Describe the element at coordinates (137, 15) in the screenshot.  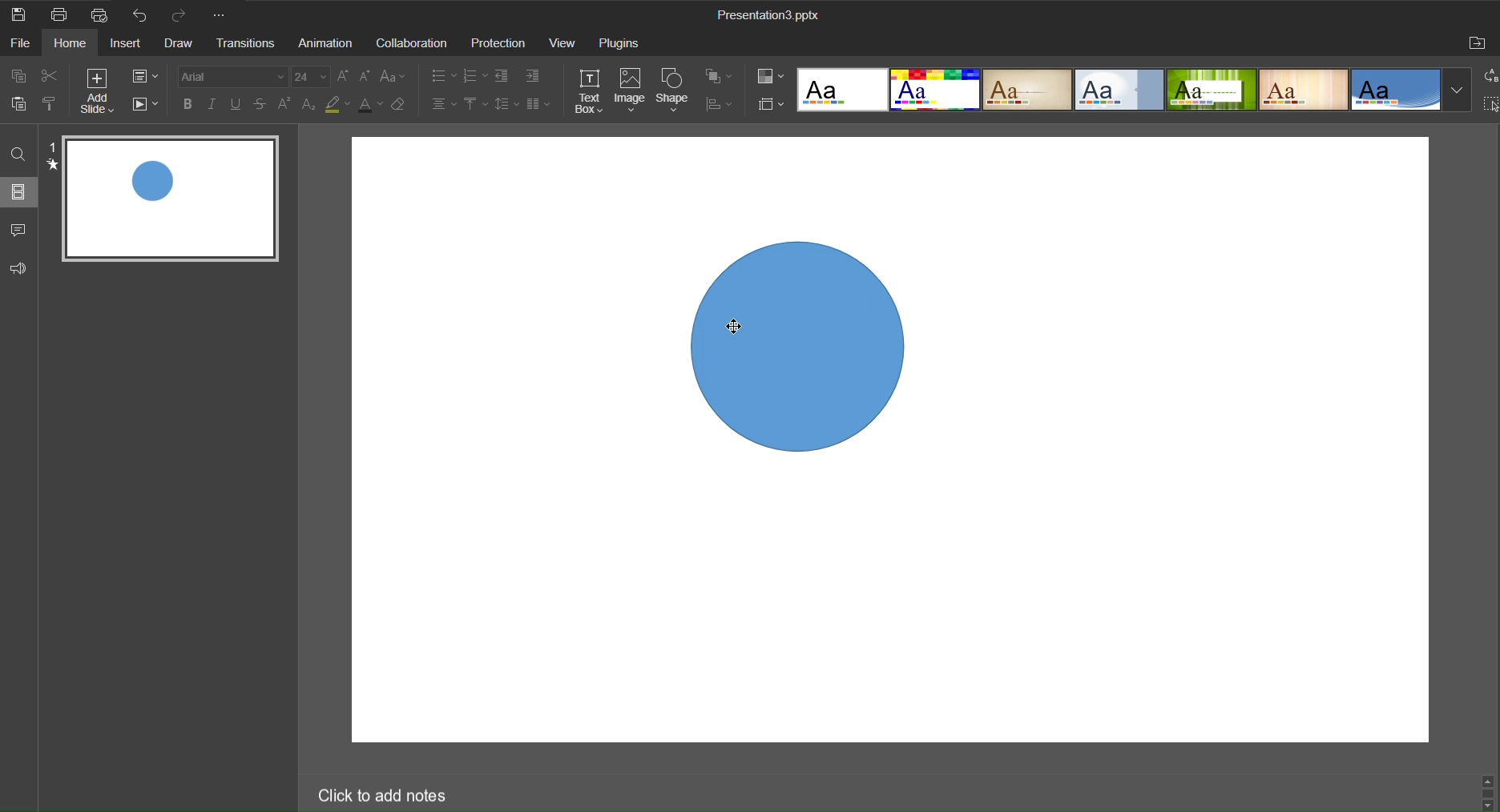
I see `Undo` at that location.